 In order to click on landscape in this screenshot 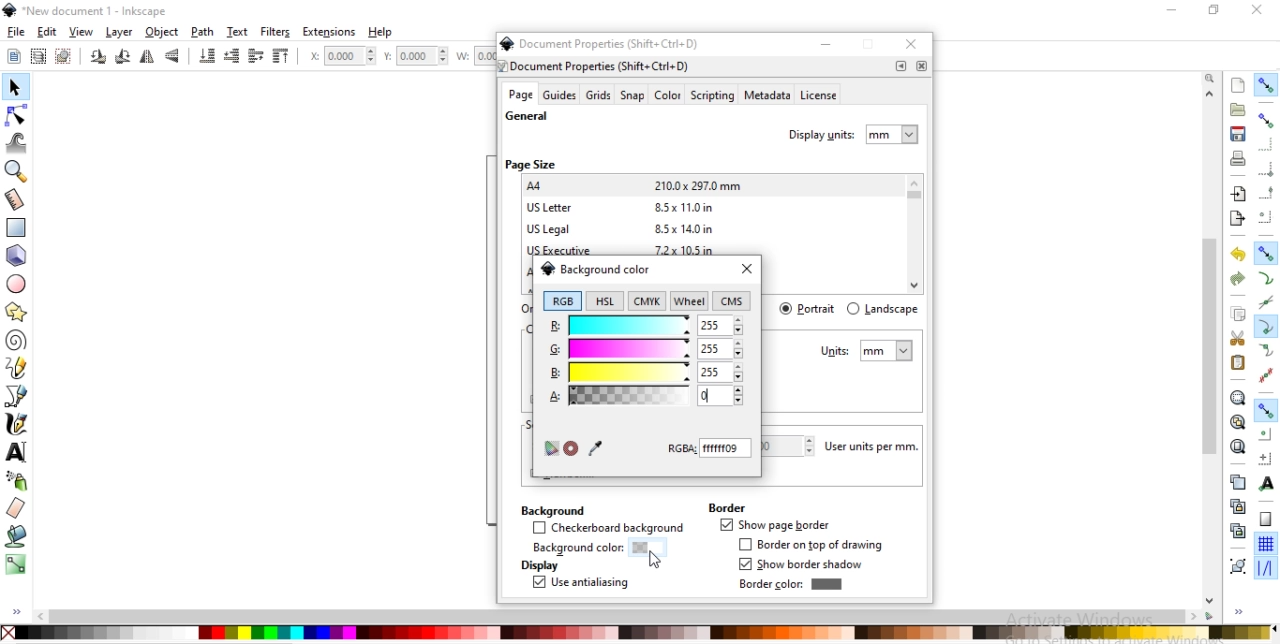, I will do `click(882, 309)`.